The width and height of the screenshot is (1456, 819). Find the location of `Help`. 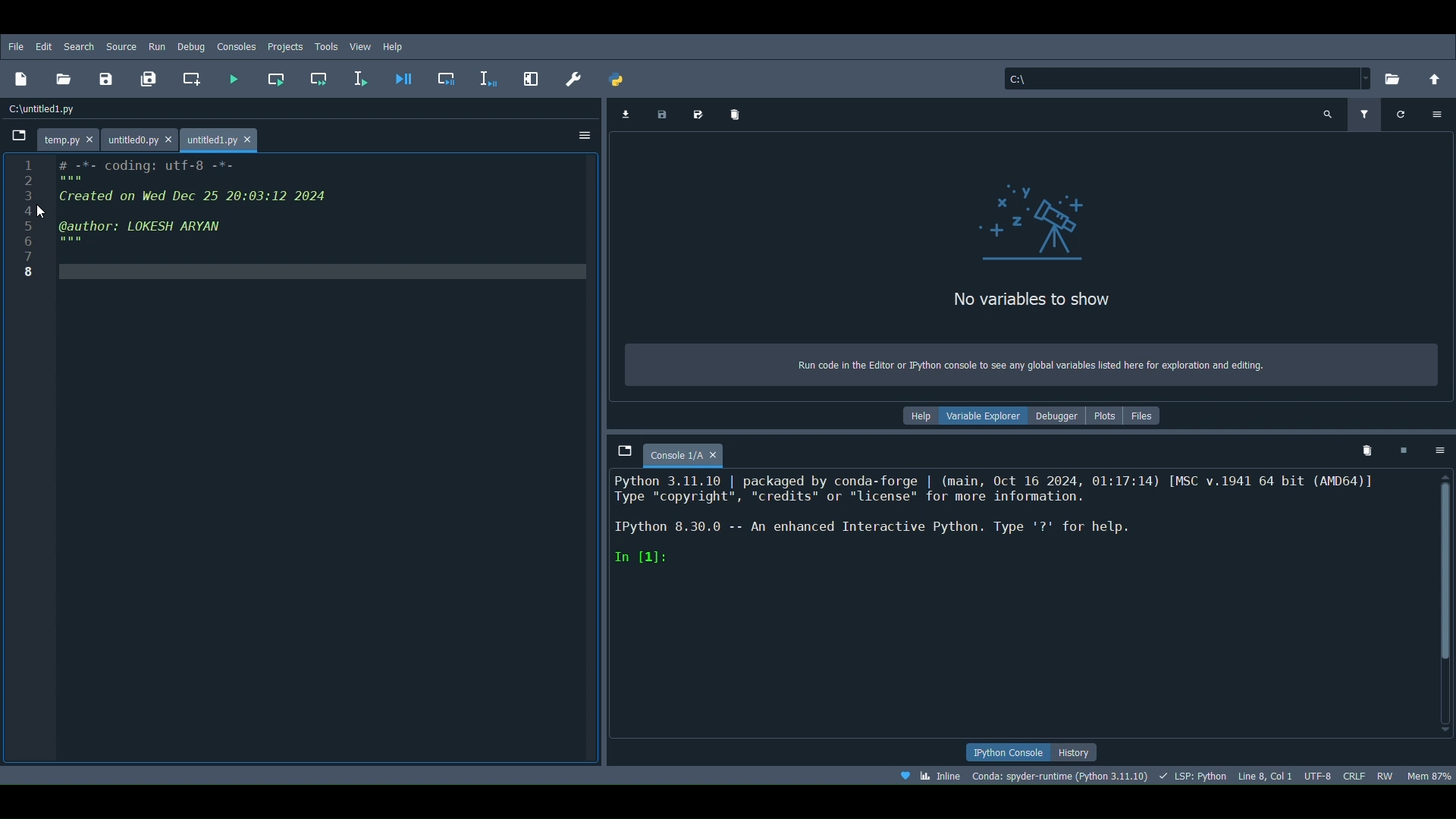

Help is located at coordinates (394, 45).